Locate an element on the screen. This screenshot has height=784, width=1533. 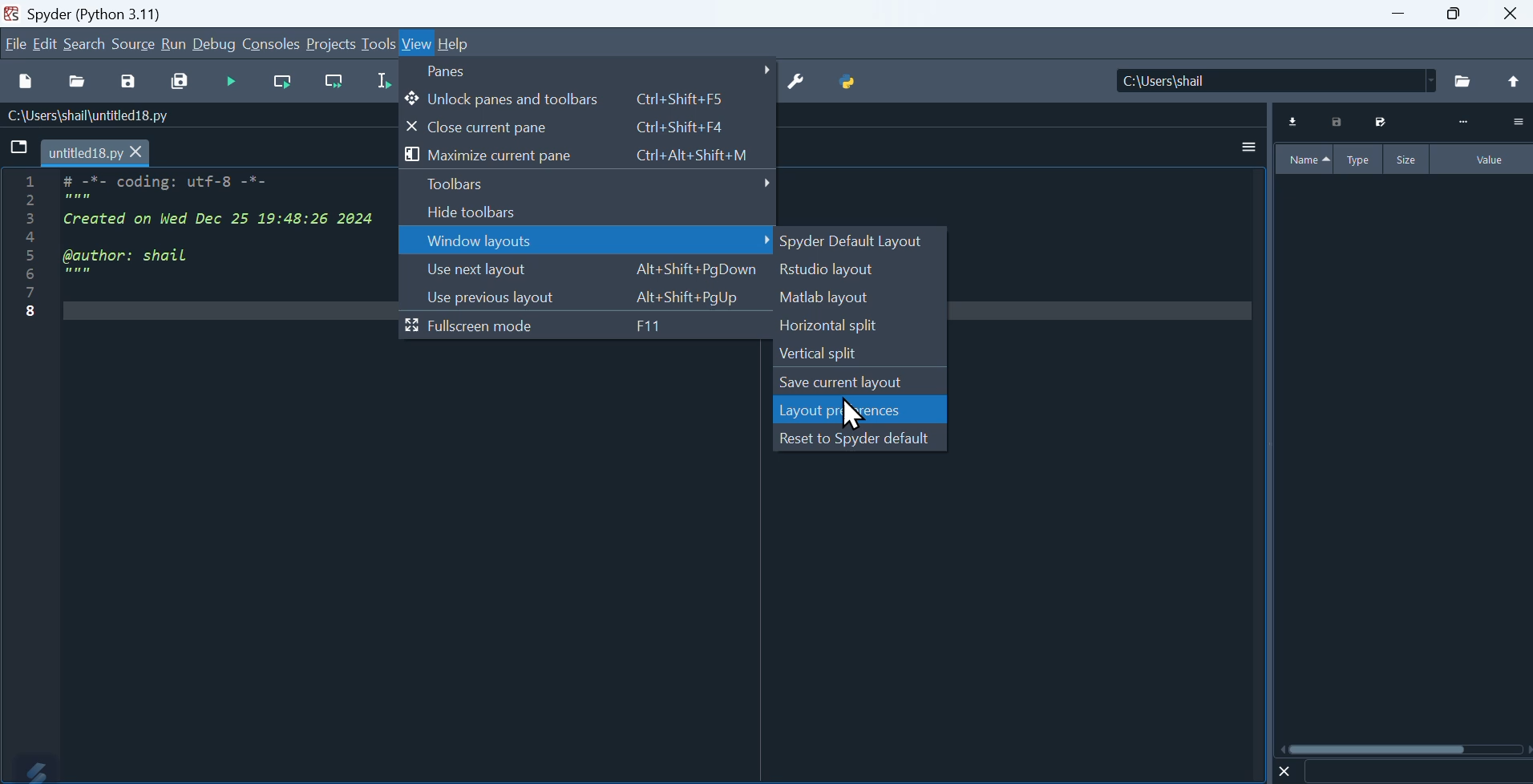
Source is located at coordinates (134, 43).